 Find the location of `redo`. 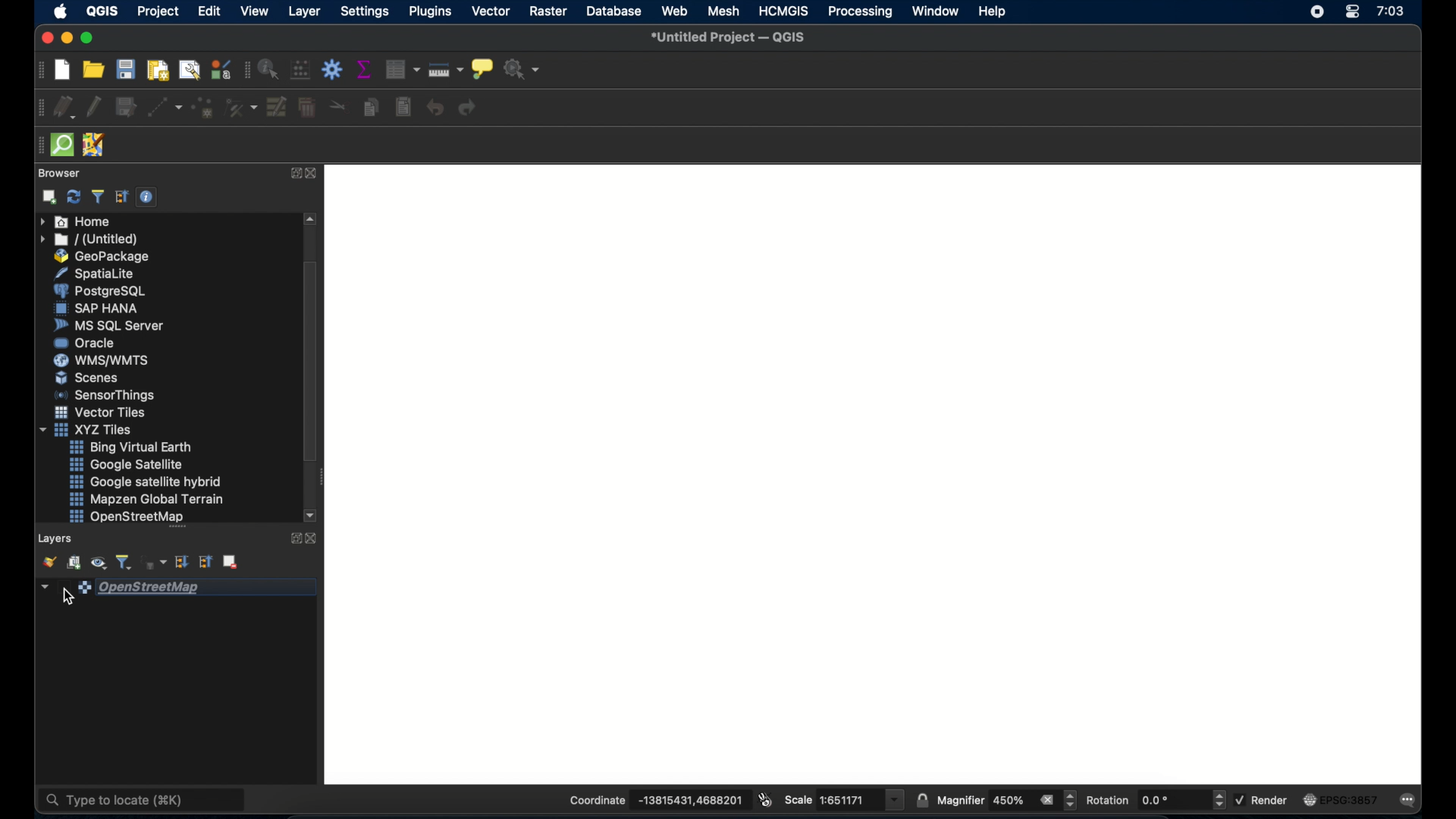

redo is located at coordinates (469, 108).